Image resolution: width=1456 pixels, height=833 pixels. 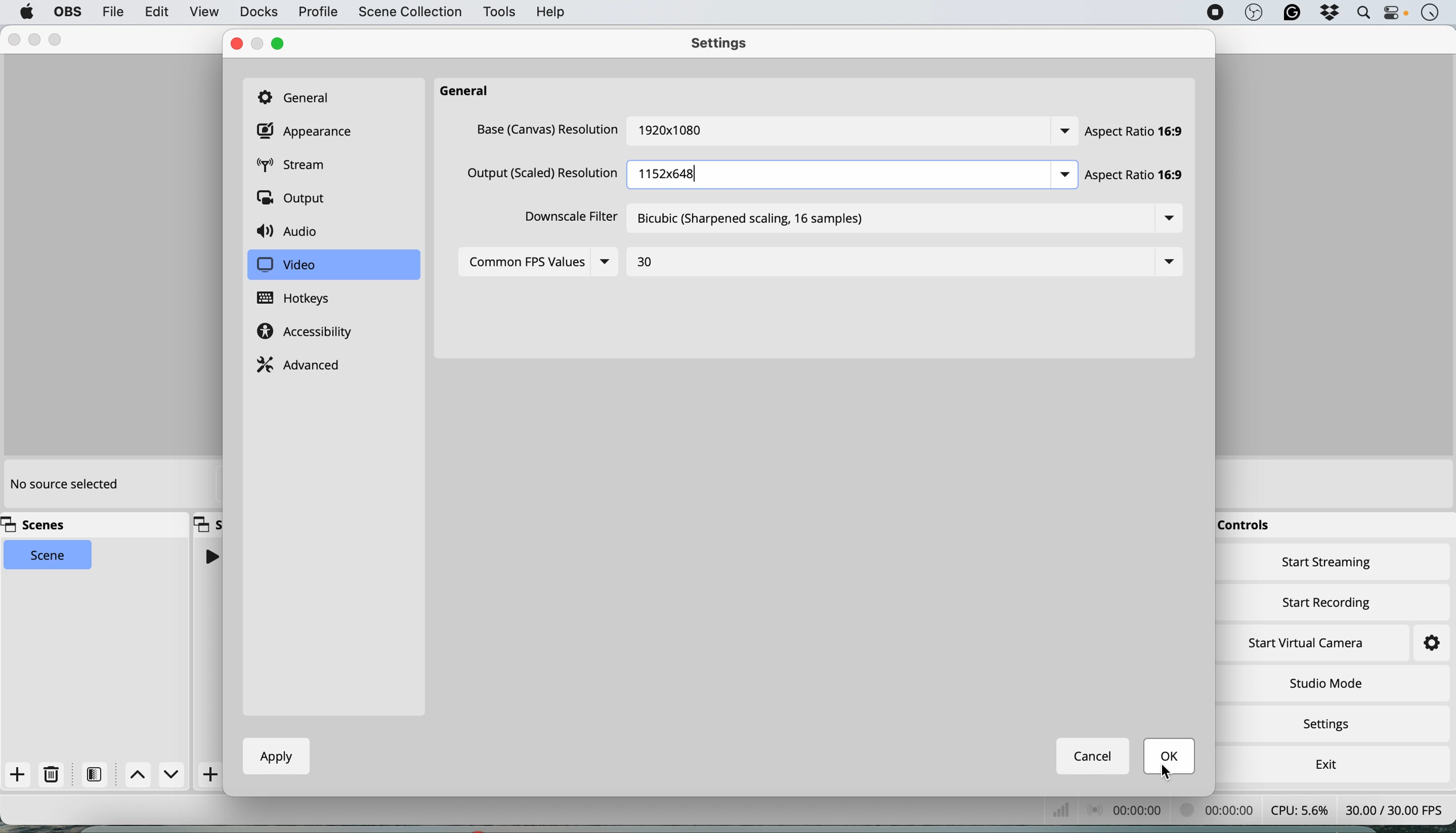 I want to click on advanced, so click(x=301, y=363).